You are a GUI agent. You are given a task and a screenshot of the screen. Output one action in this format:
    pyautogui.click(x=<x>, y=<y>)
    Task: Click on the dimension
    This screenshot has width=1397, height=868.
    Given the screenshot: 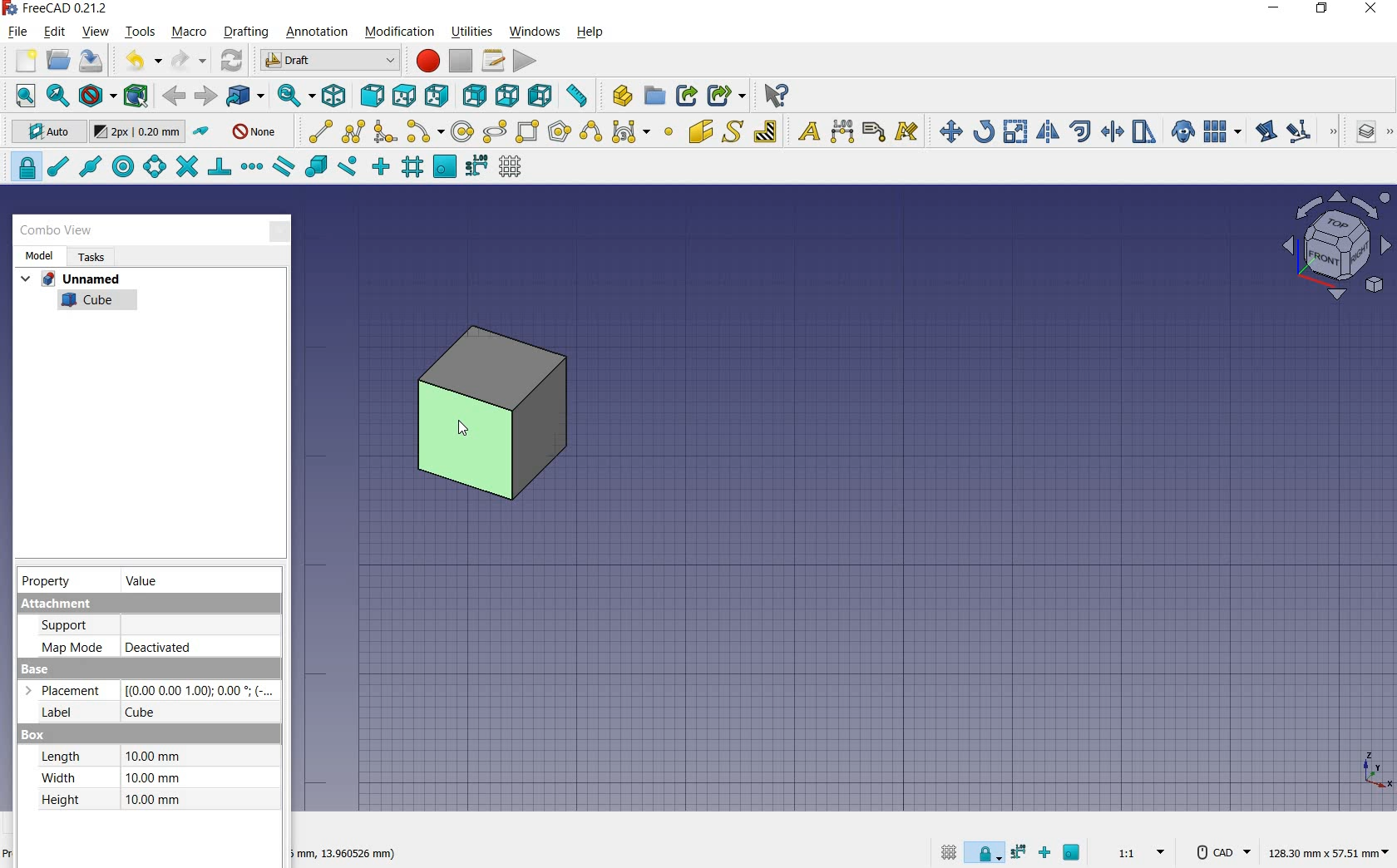 What is the action you would take?
    pyautogui.click(x=1328, y=851)
    